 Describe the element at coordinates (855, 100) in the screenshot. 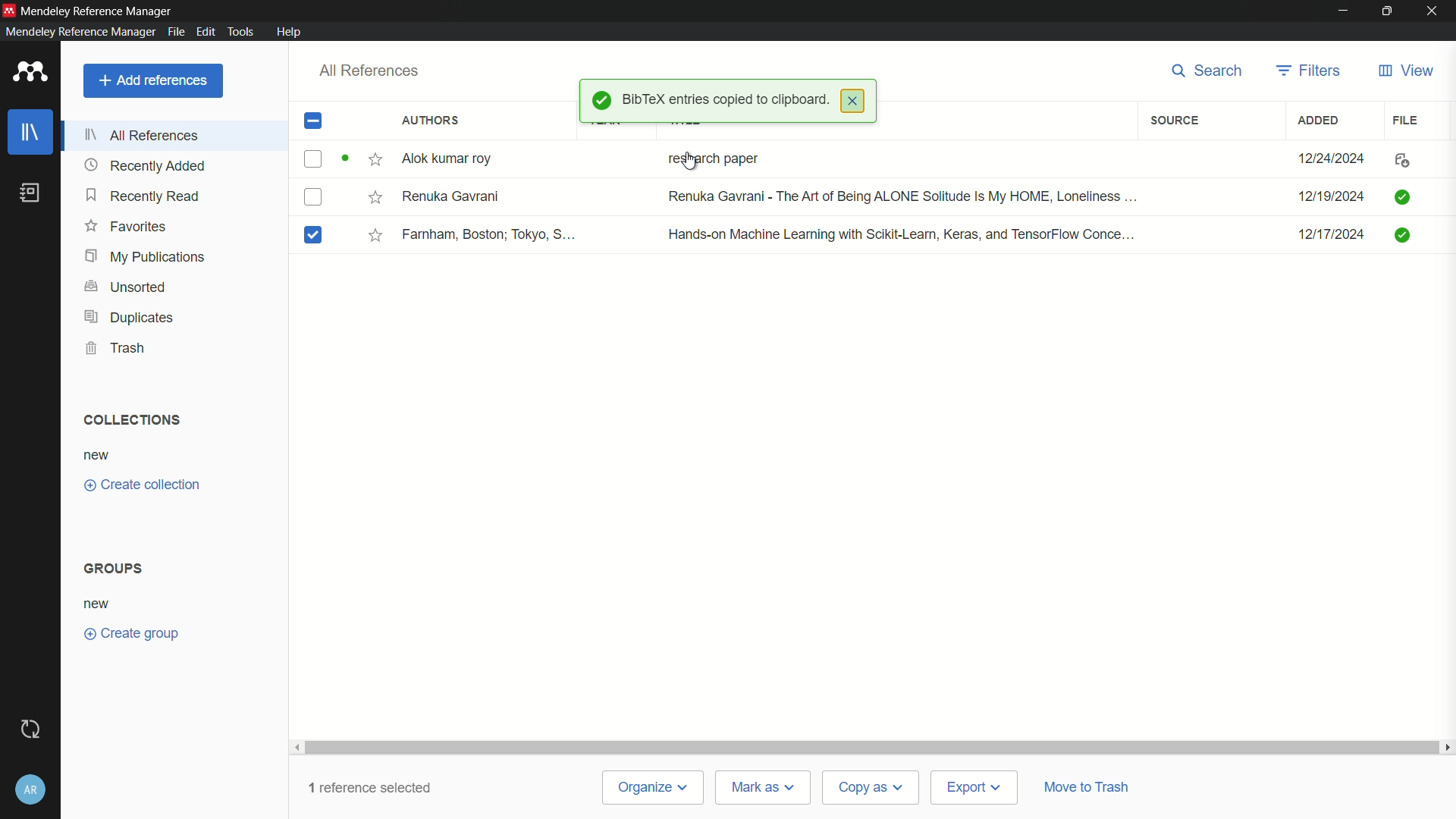

I see `close pop up` at that location.